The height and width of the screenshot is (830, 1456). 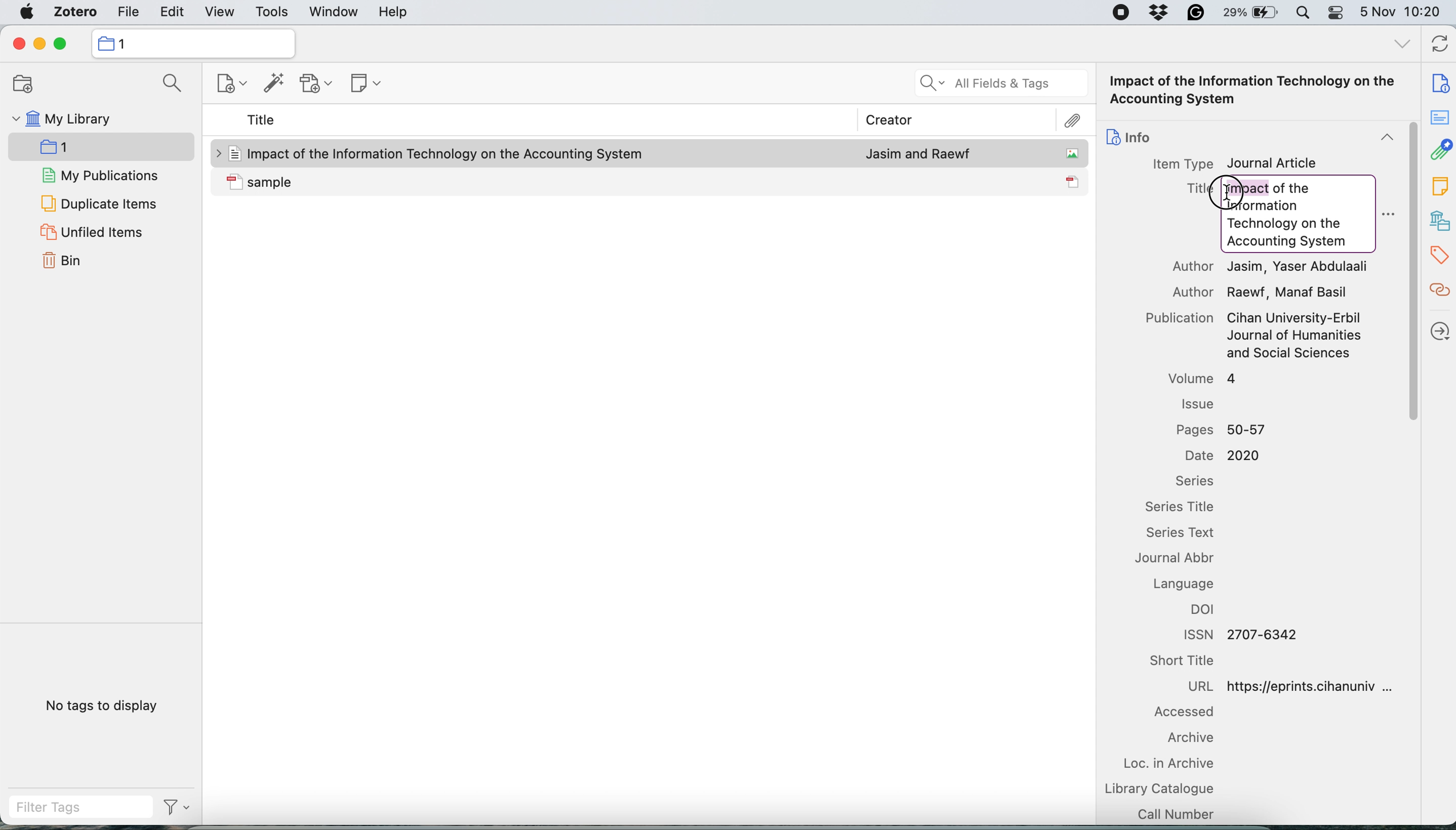 I want to click on Author Jasim, Yaser Abdulaali, so click(x=1272, y=267).